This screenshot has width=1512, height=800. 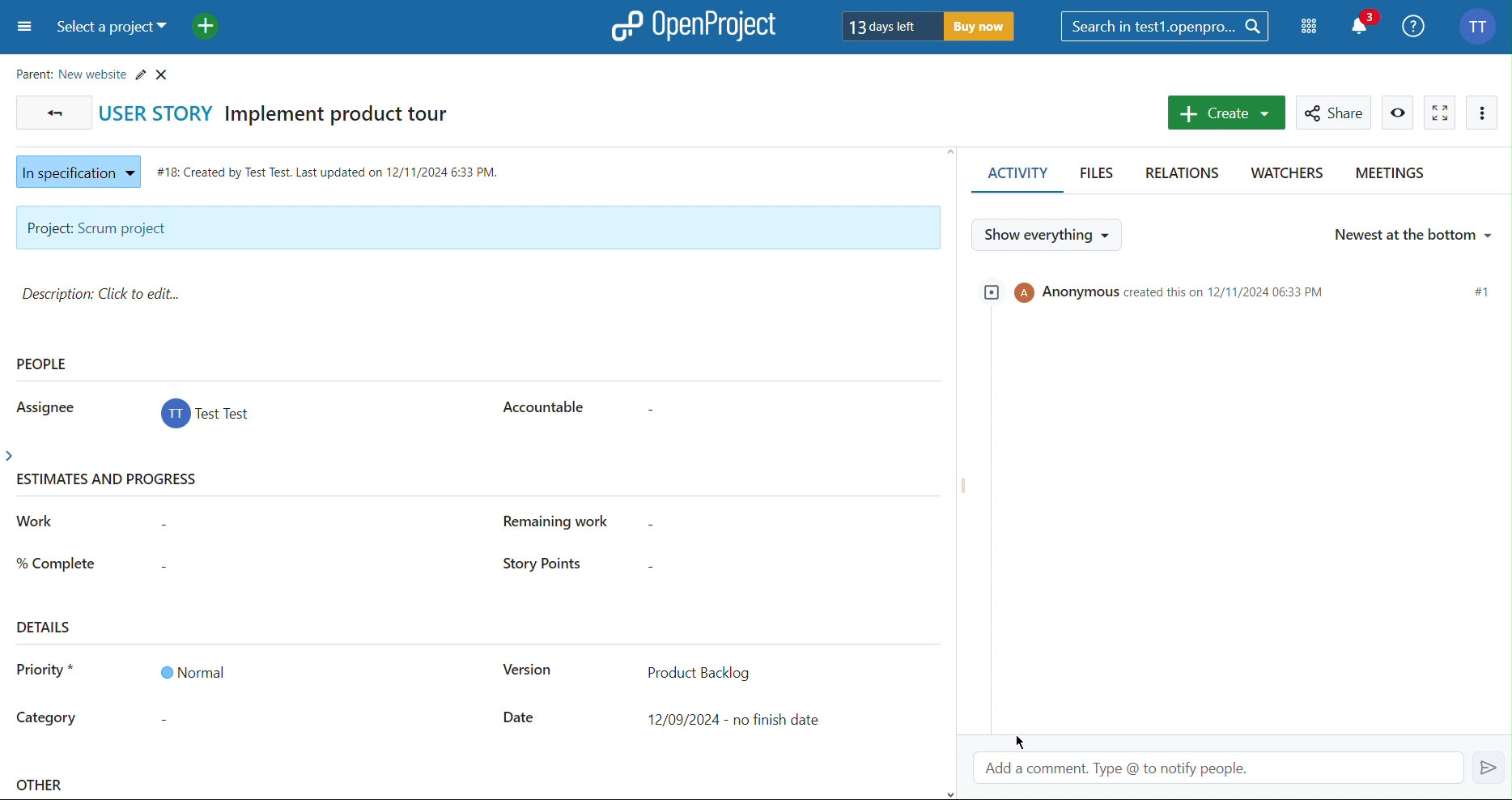 I want to click on Product Backlog, so click(x=699, y=670).